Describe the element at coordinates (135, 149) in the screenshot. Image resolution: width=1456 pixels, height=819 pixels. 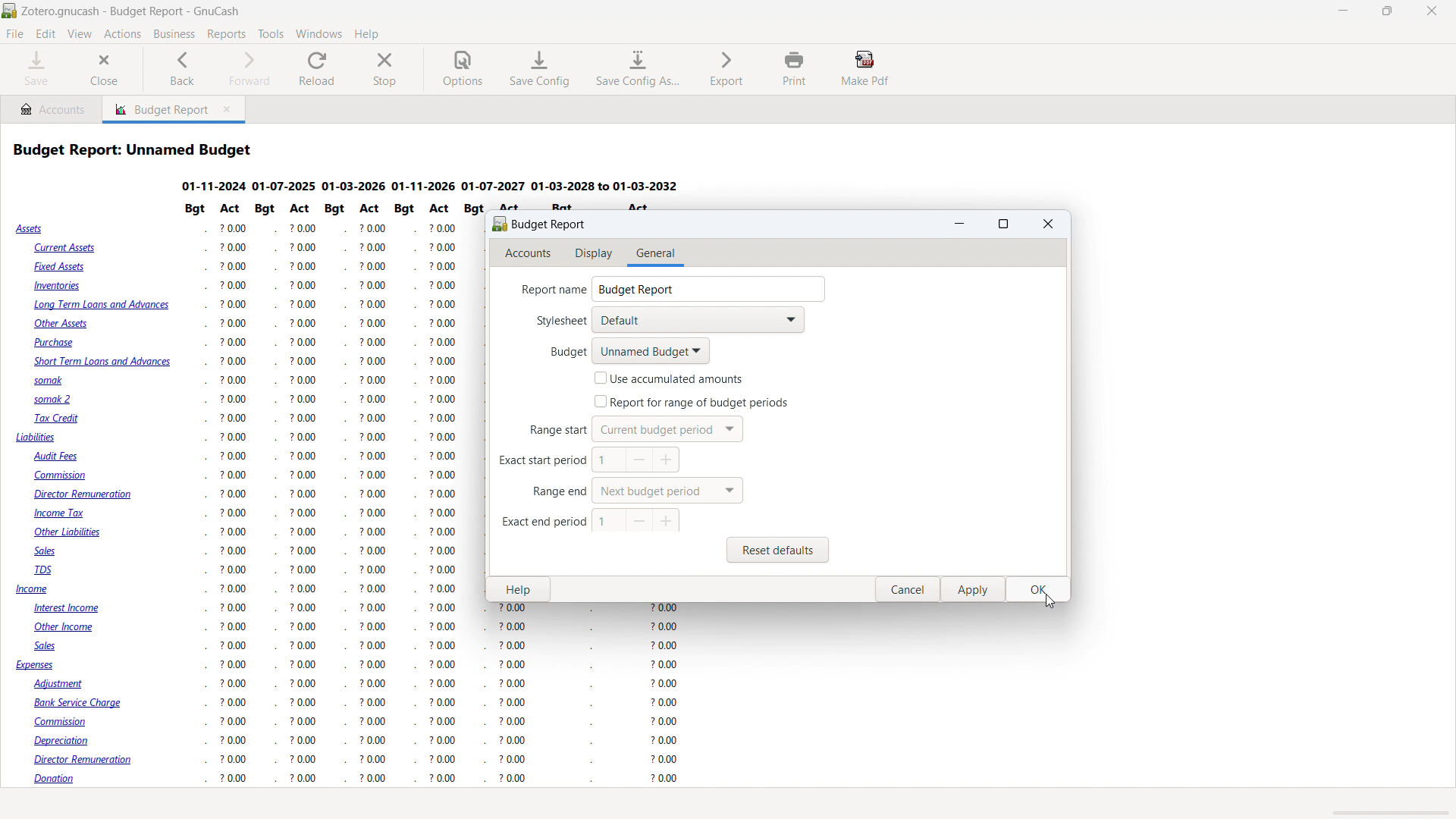
I see `budget report title` at that location.